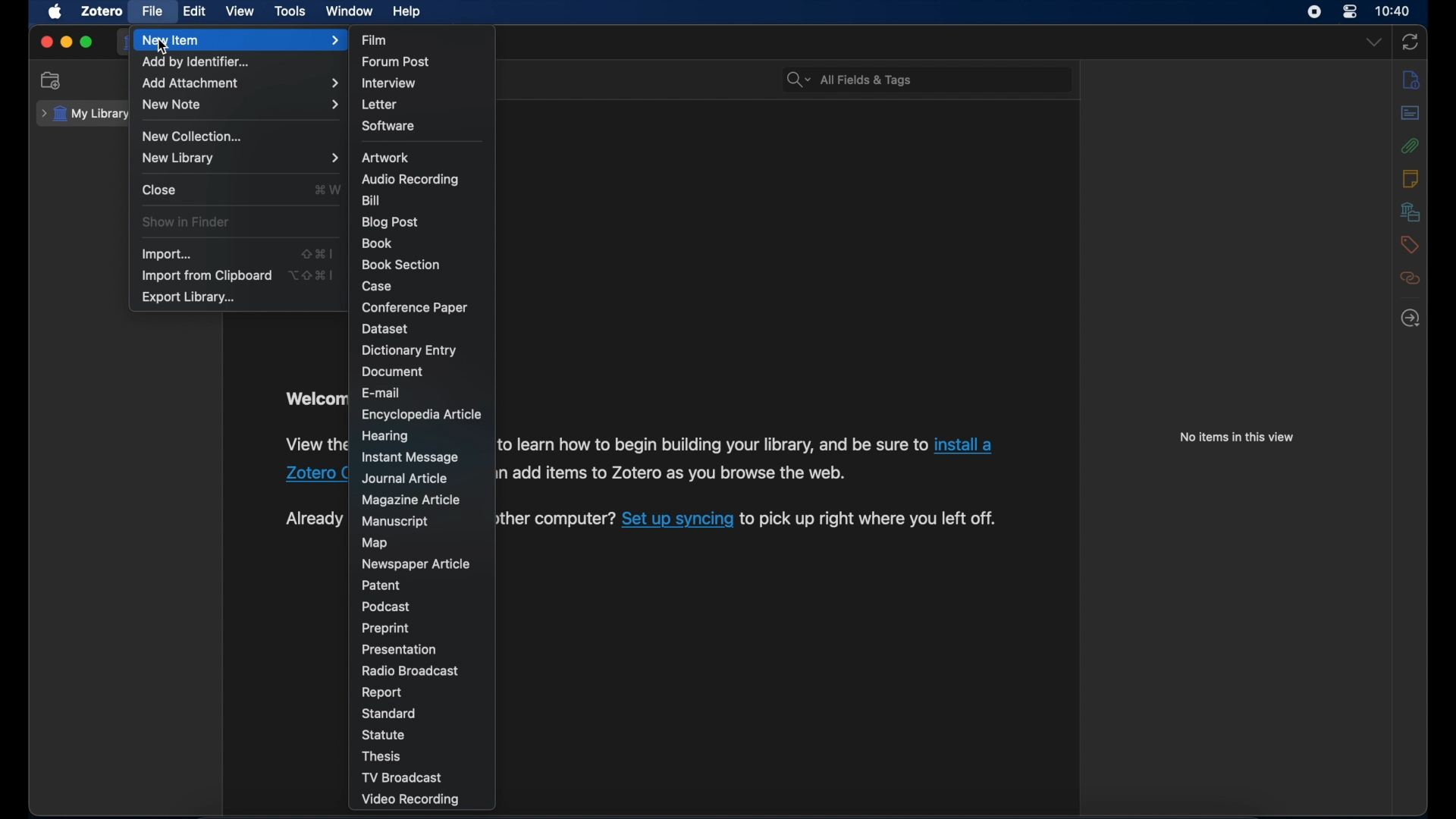  Describe the element at coordinates (350, 11) in the screenshot. I see `window` at that location.